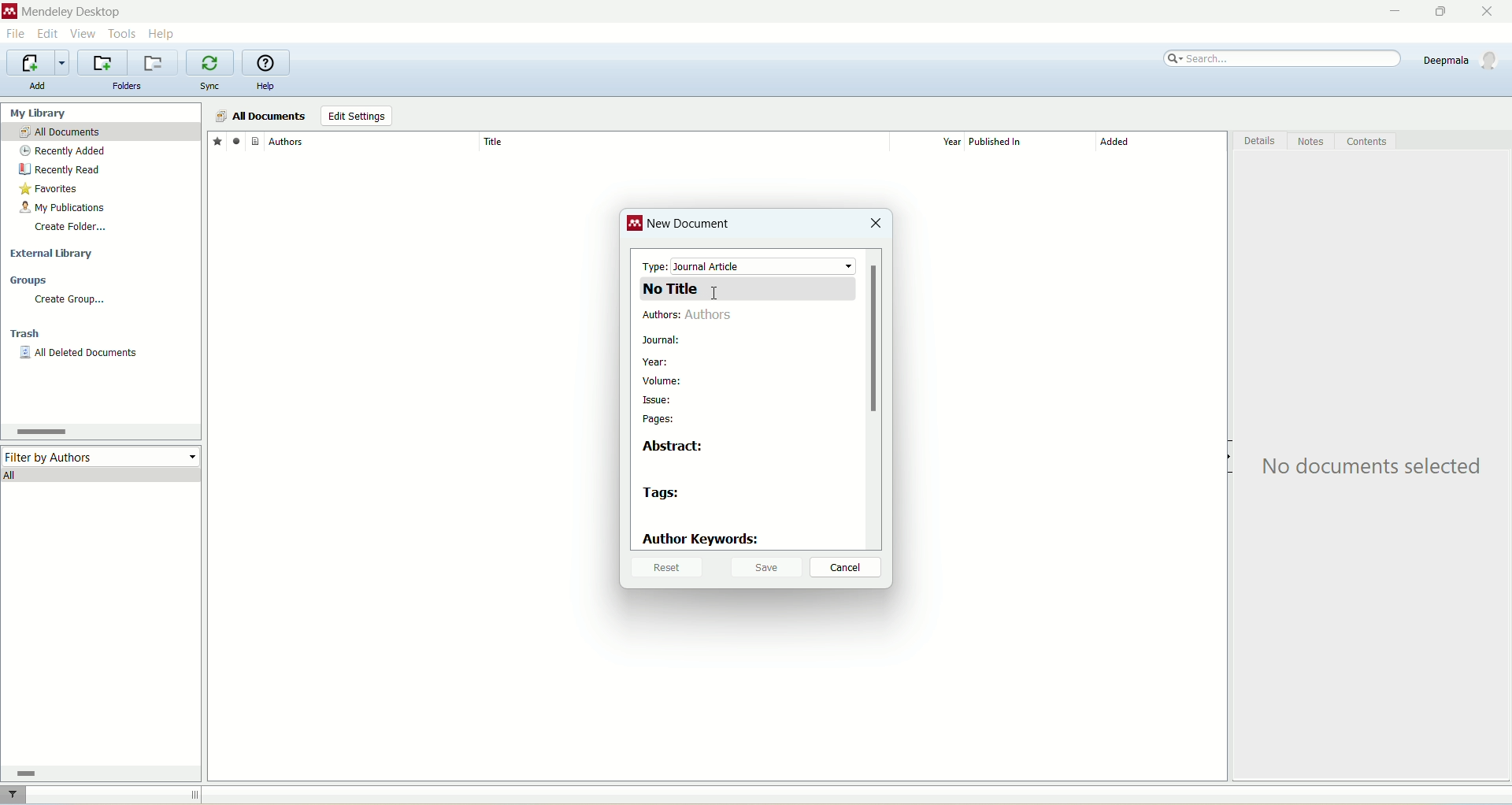  I want to click on create a new folder, so click(102, 63).